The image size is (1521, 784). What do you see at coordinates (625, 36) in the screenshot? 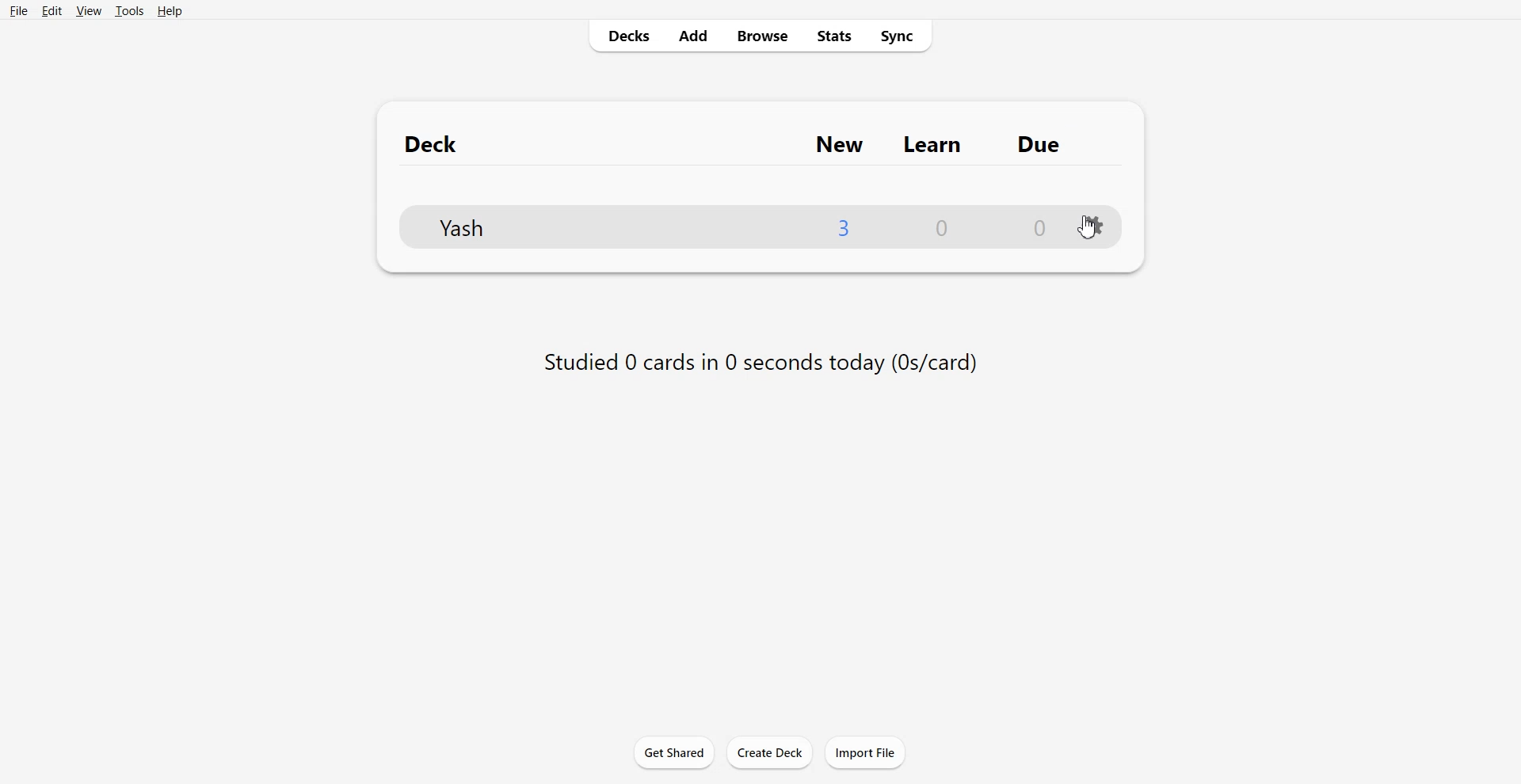
I see `Decks` at bounding box center [625, 36].